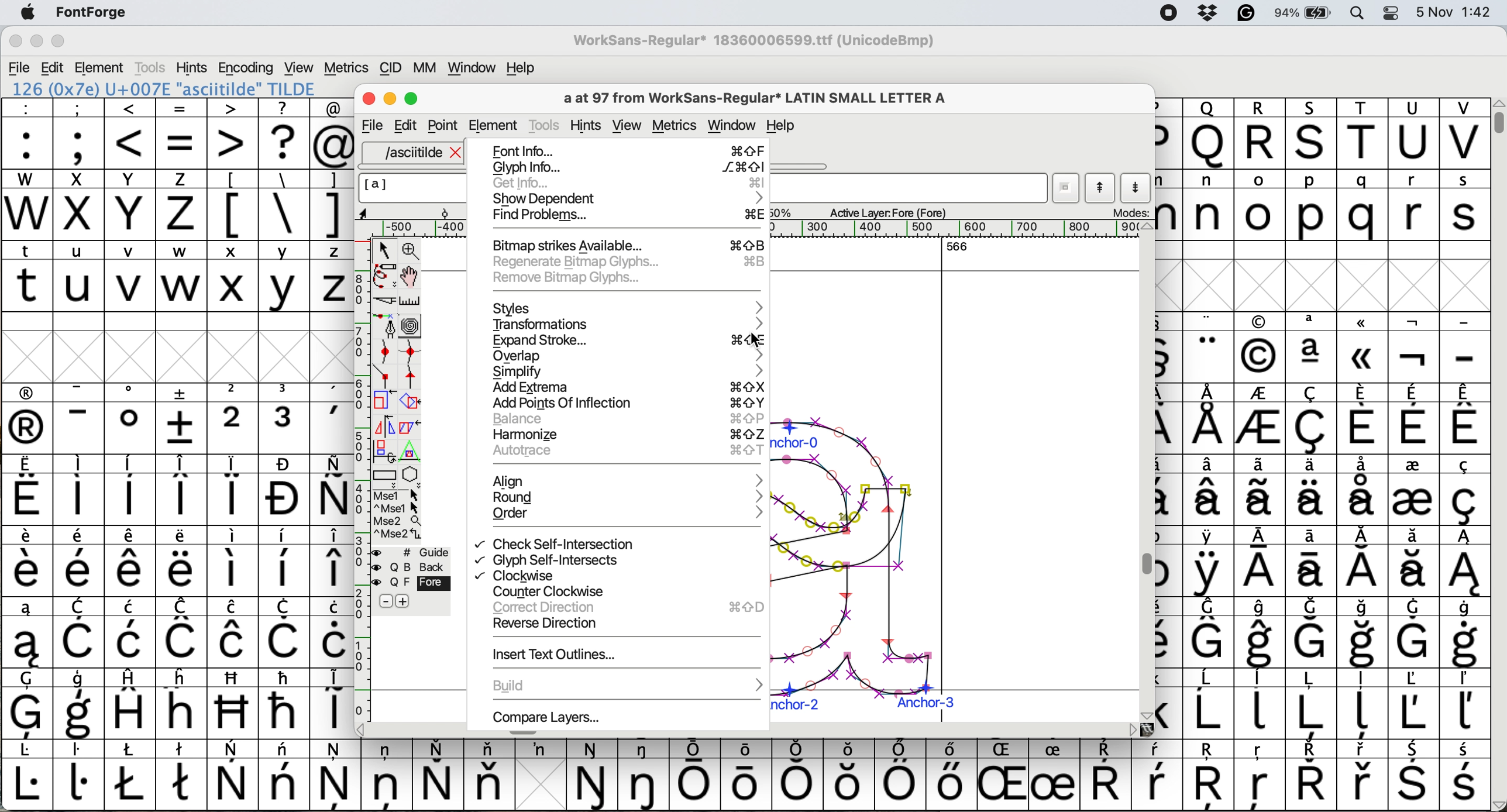  What do you see at coordinates (949, 774) in the screenshot?
I see `symbol` at bounding box center [949, 774].